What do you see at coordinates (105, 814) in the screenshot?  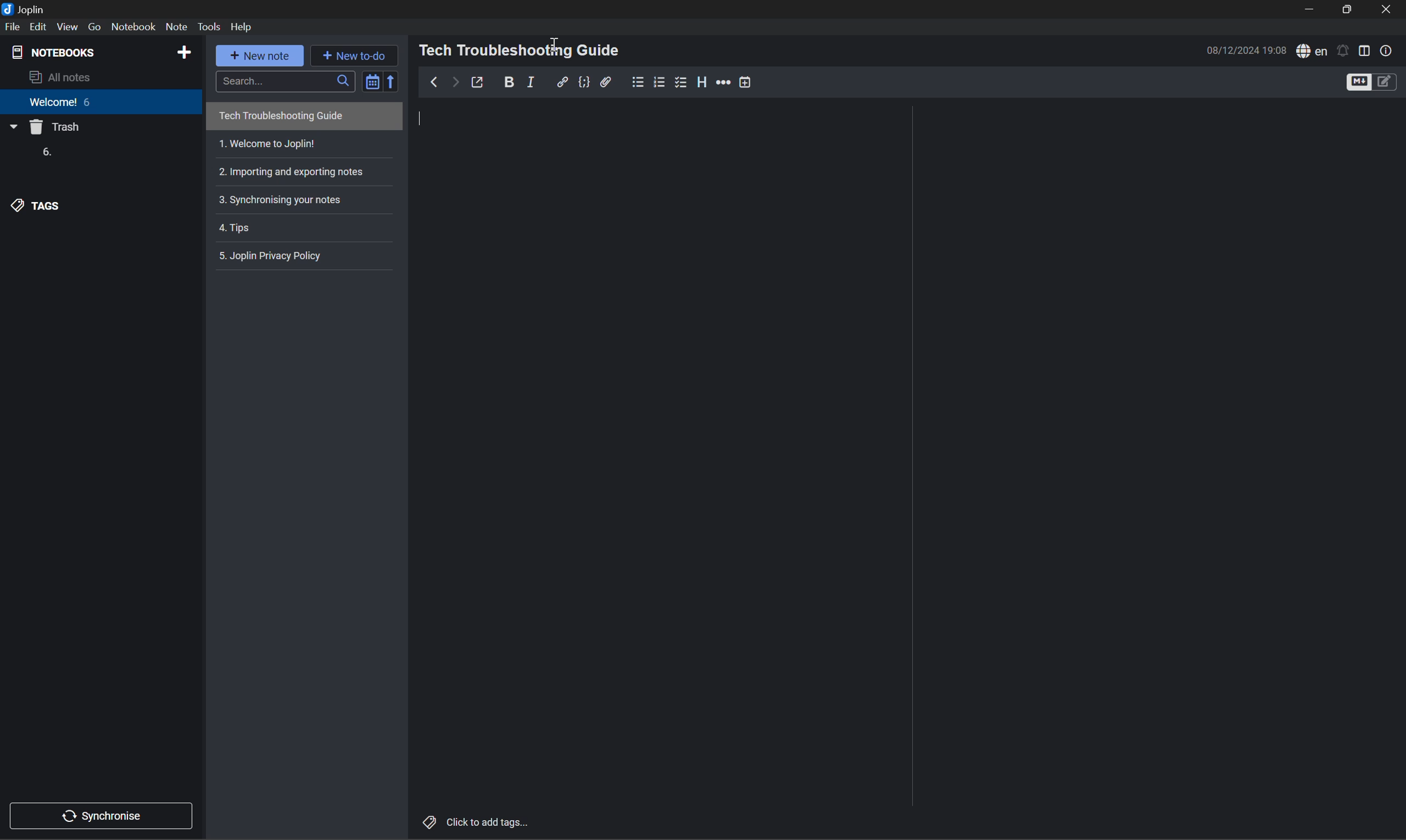 I see `Synchronise` at bounding box center [105, 814].